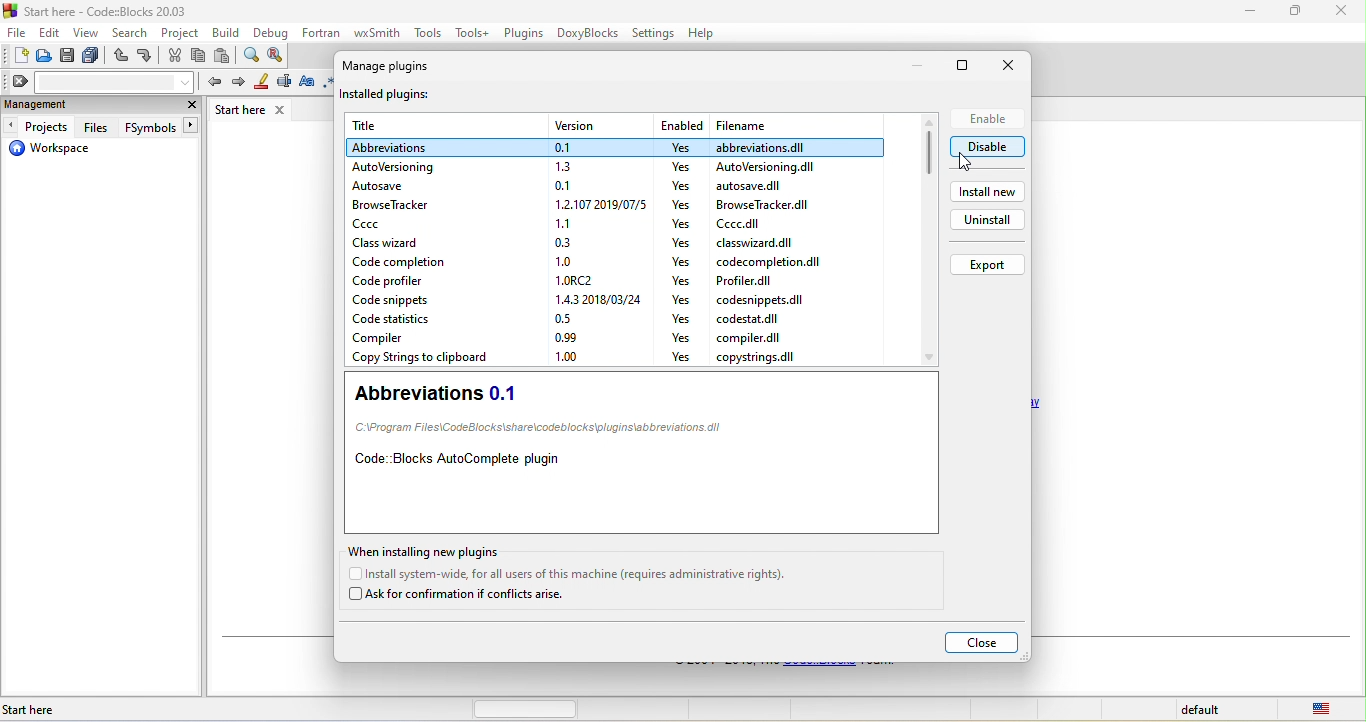 The image size is (1366, 722). I want to click on find, so click(252, 55).